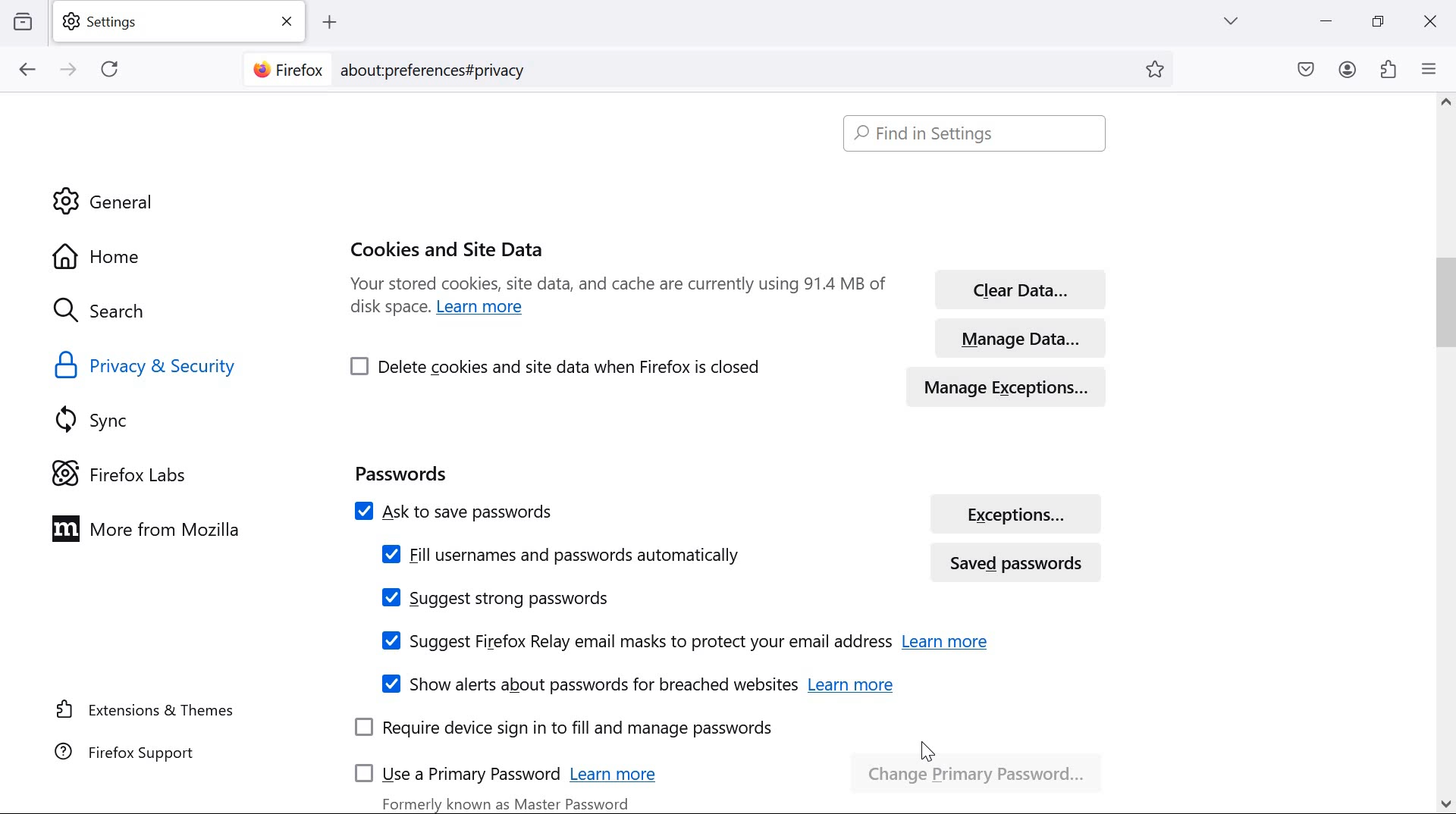  What do you see at coordinates (1018, 334) in the screenshot?
I see `Manage Data...` at bounding box center [1018, 334].